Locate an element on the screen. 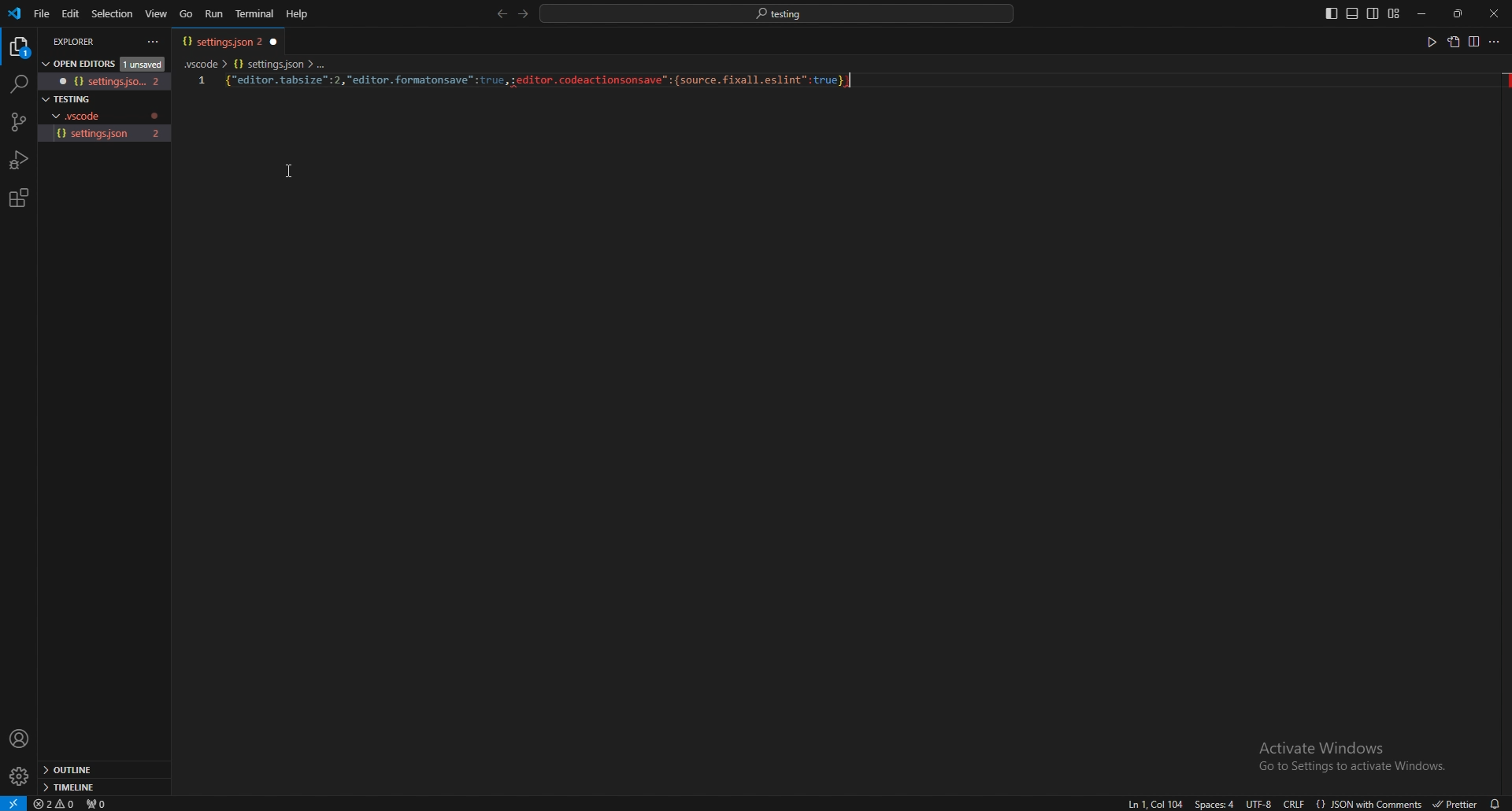 This screenshot has height=811, width=1512. unsaved is located at coordinates (143, 65).